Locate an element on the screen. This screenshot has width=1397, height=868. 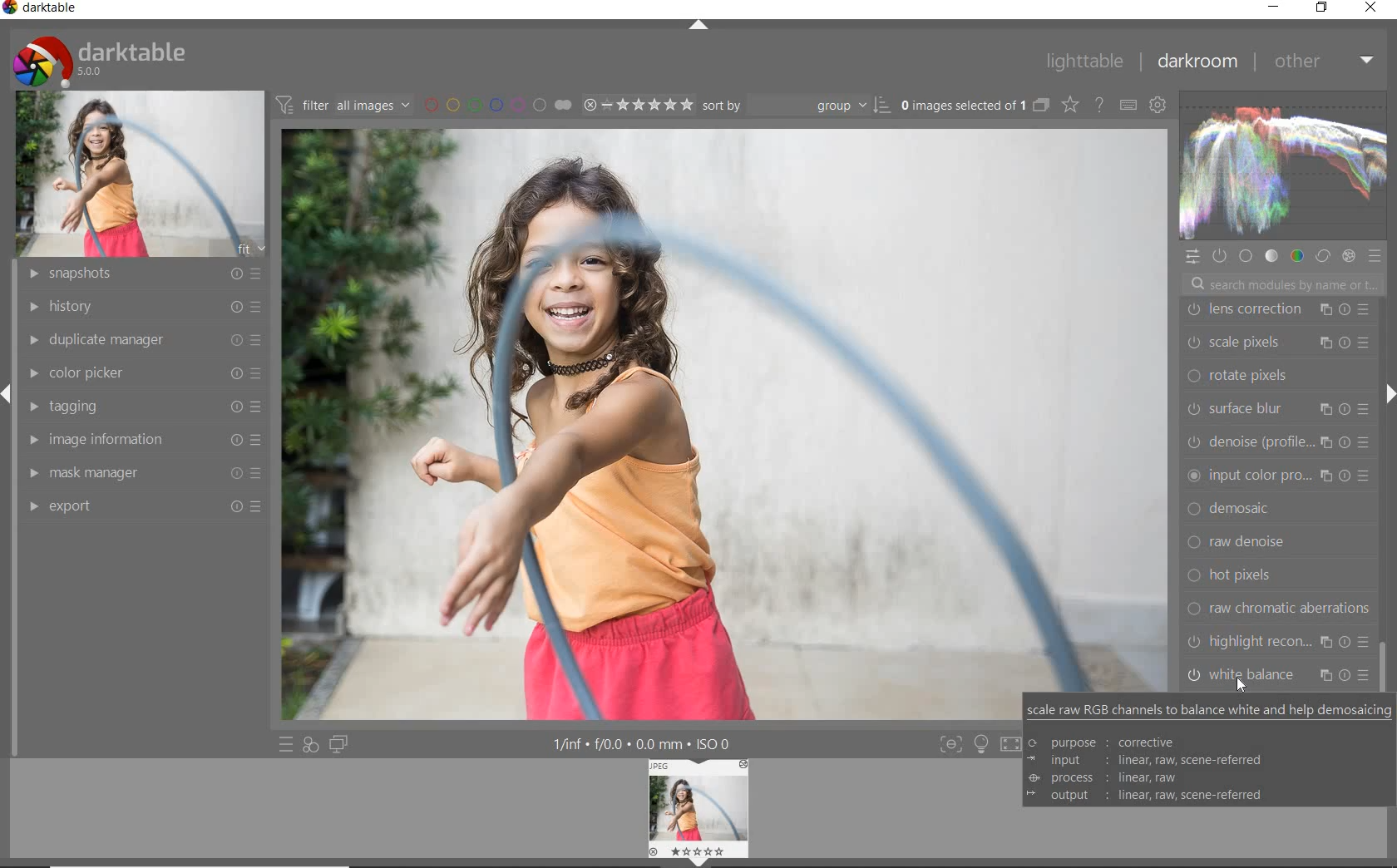
grain is located at coordinates (1283, 580).